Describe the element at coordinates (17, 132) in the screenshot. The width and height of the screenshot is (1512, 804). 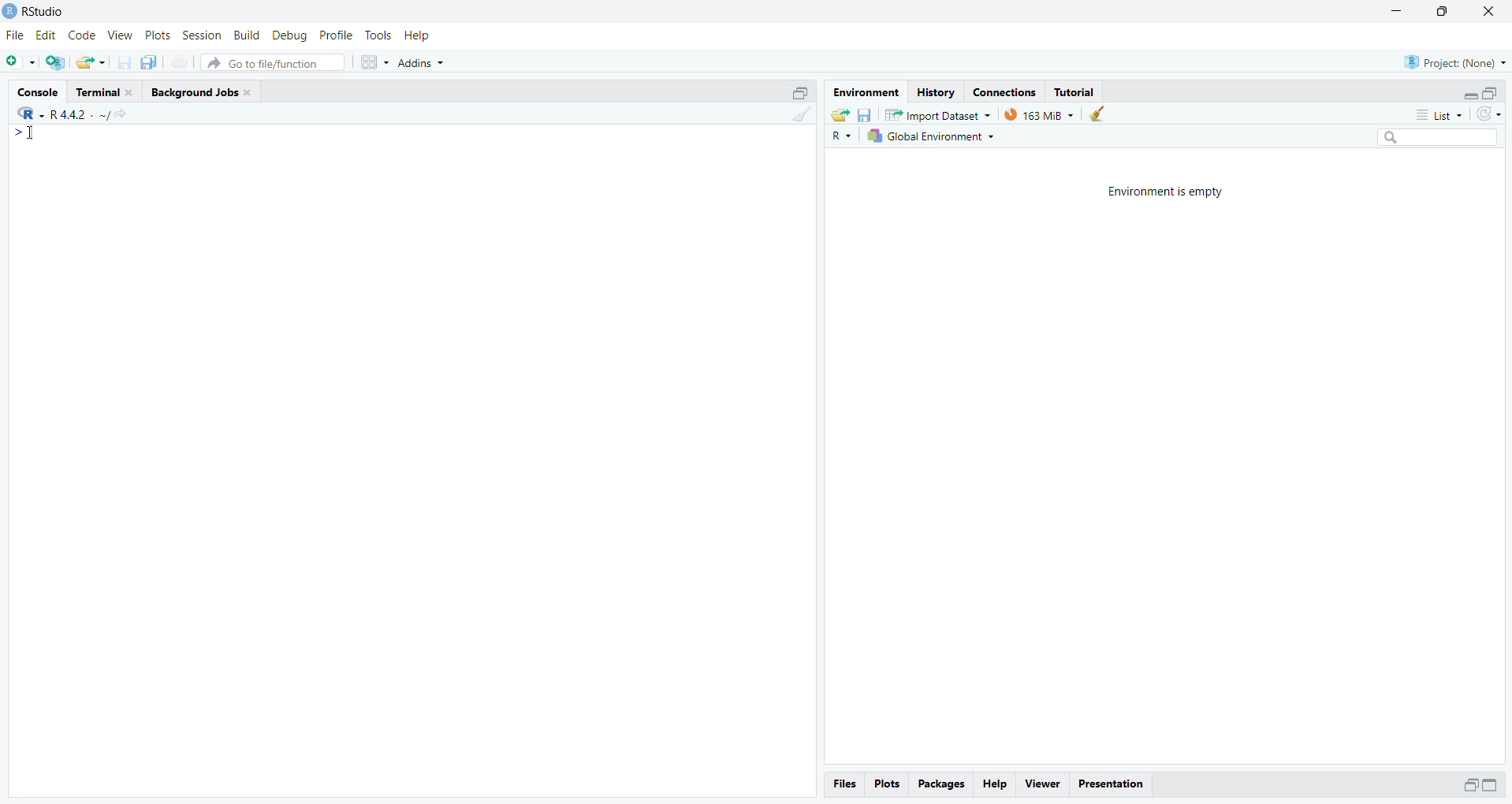
I see `>` at that location.